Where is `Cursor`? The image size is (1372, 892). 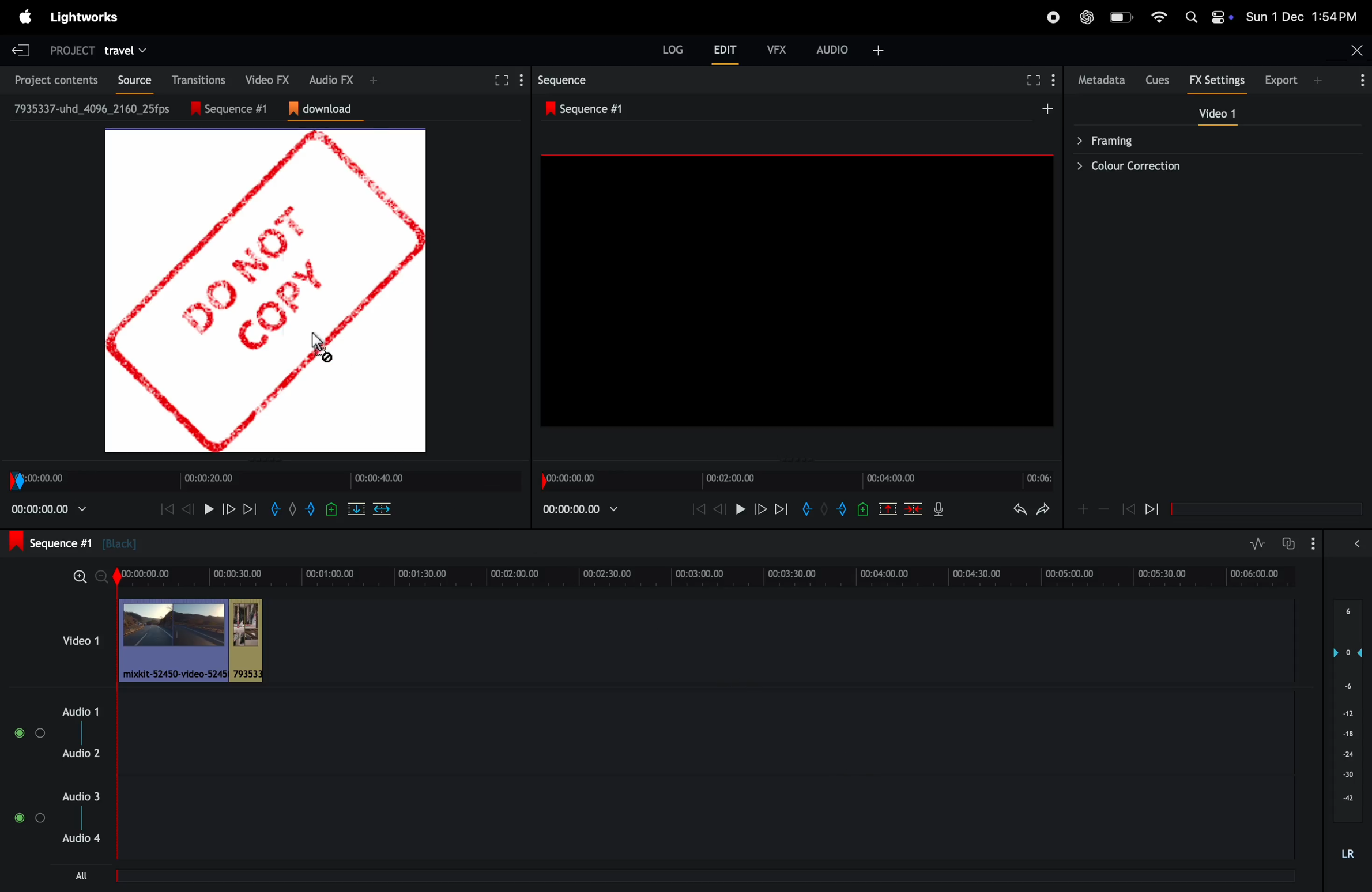
Cursor is located at coordinates (323, 347).